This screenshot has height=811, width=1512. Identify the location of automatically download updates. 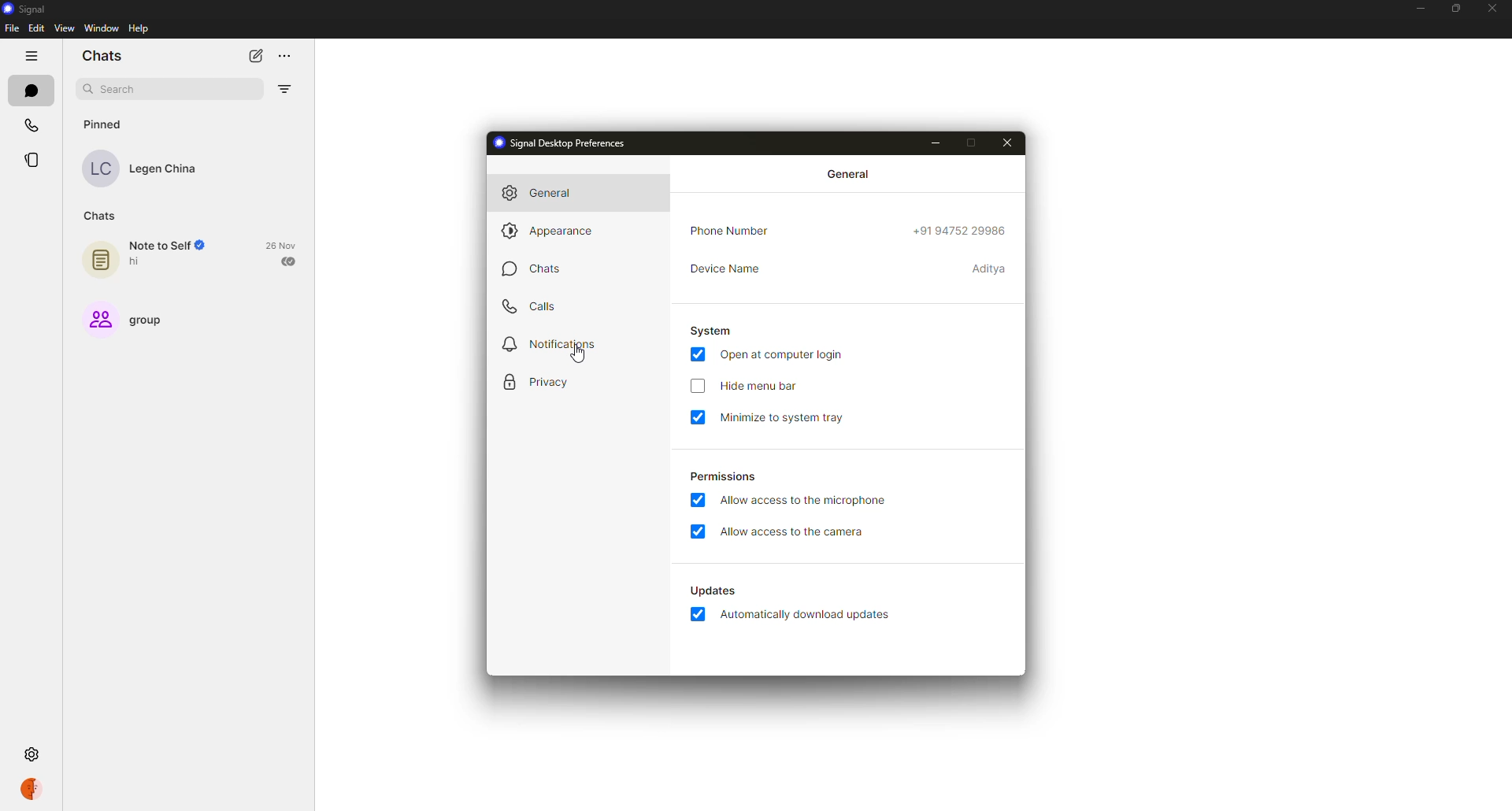
(806, 617).